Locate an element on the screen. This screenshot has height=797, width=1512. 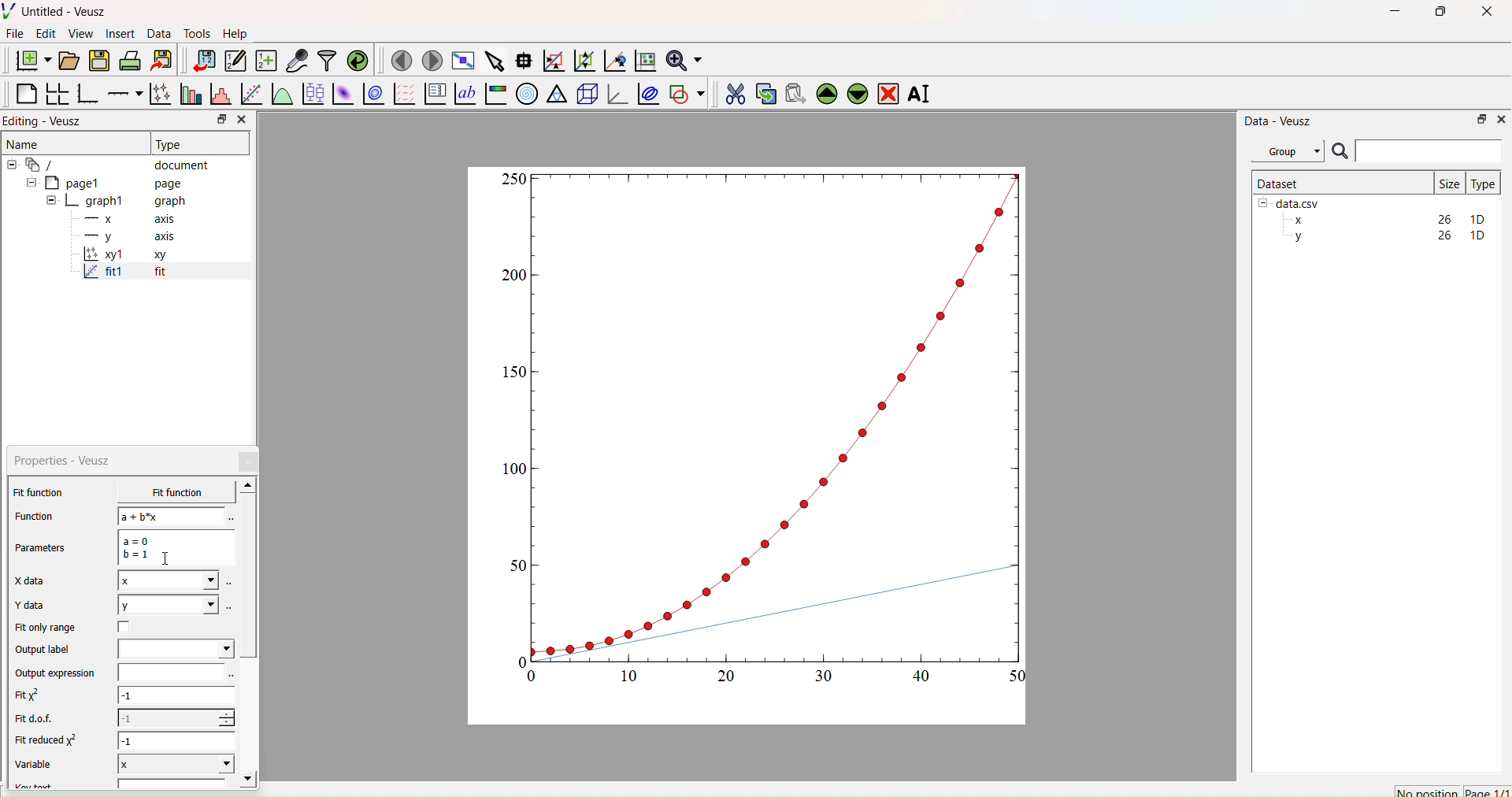
y 26 1D is located at coordinates (1385, 235).